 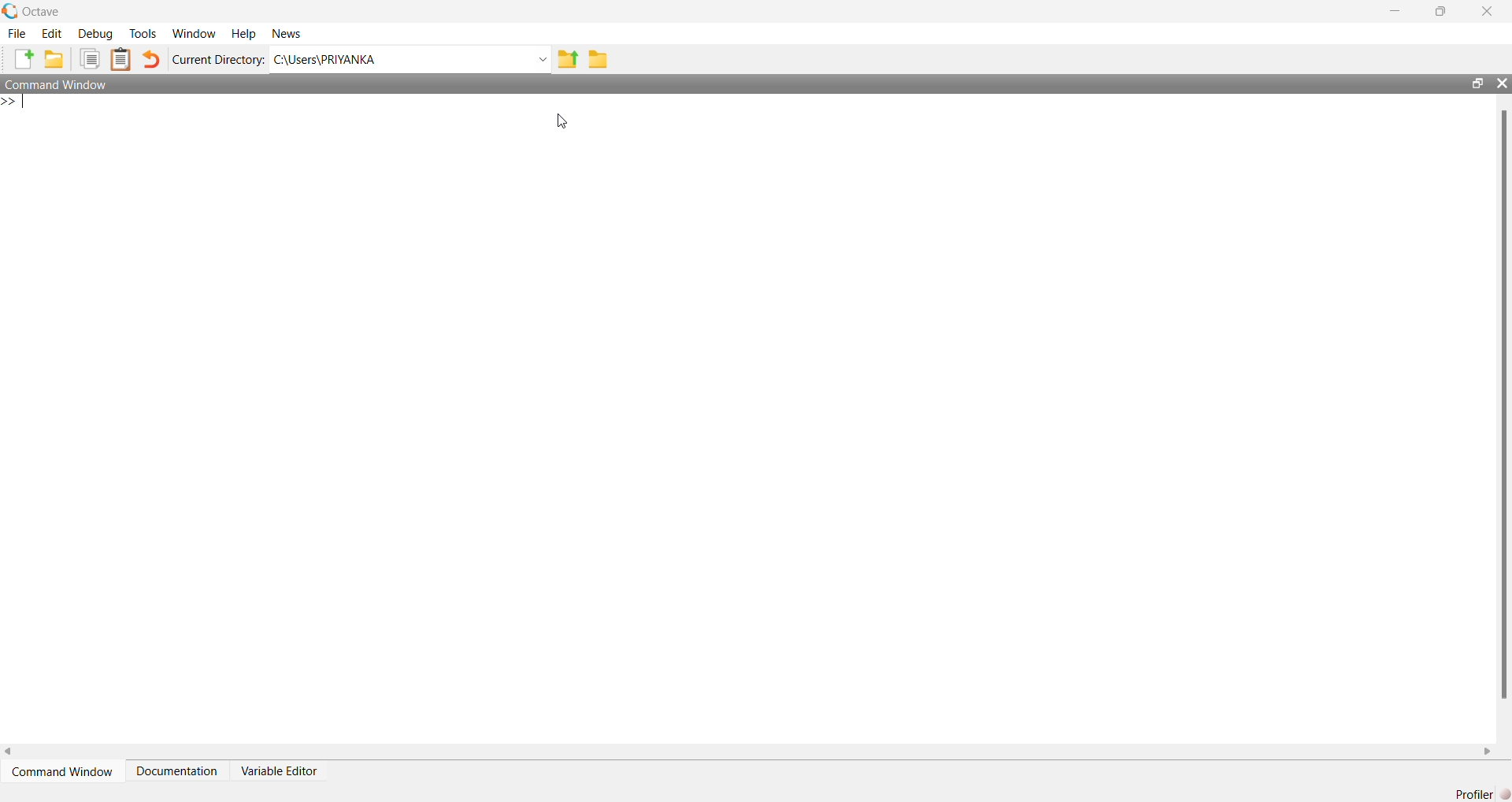 I want to click on one directory up, so click(x=566, y=59).